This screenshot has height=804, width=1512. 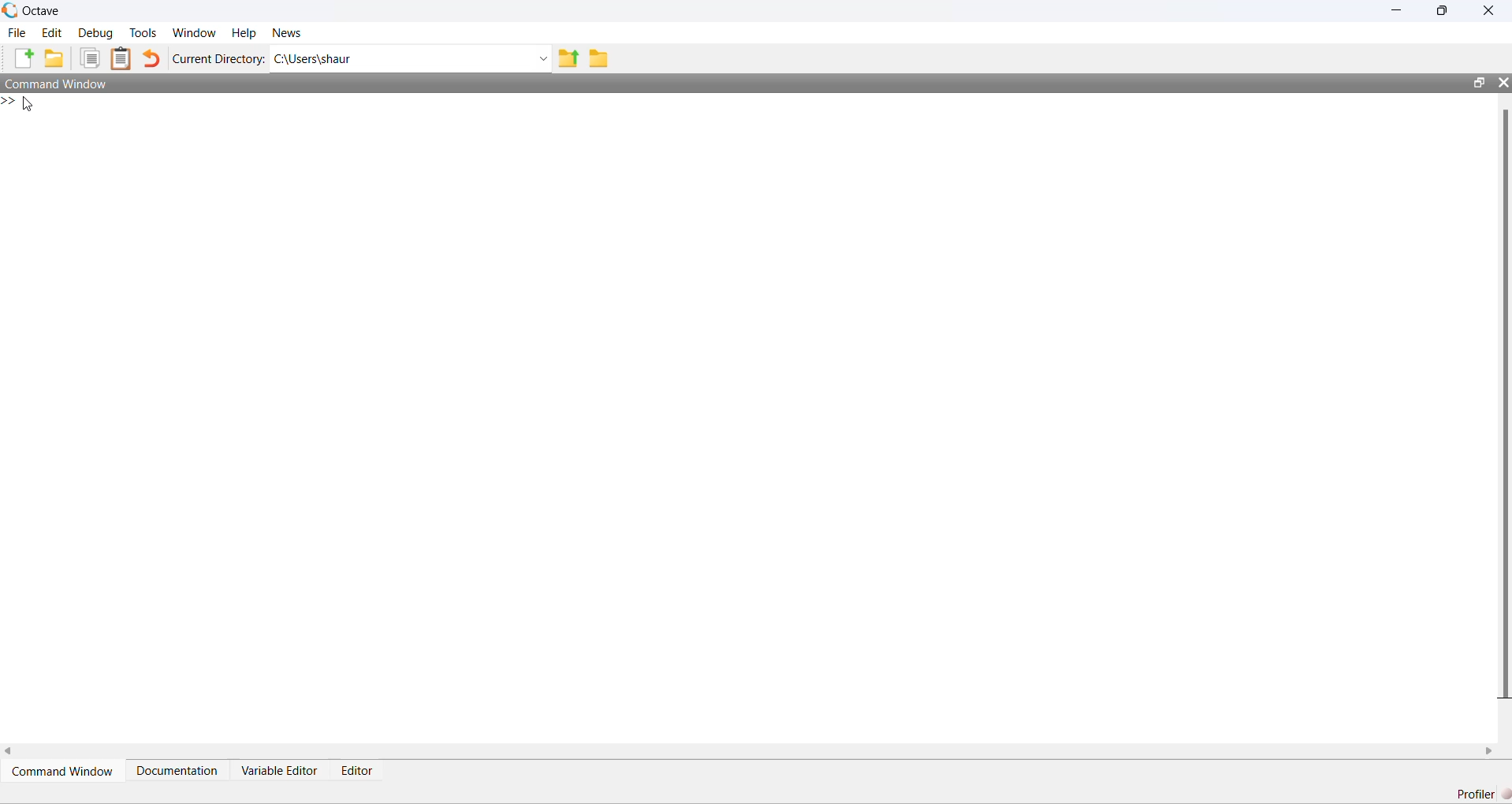 I want to click on Editor, so click(x=356, y=770).